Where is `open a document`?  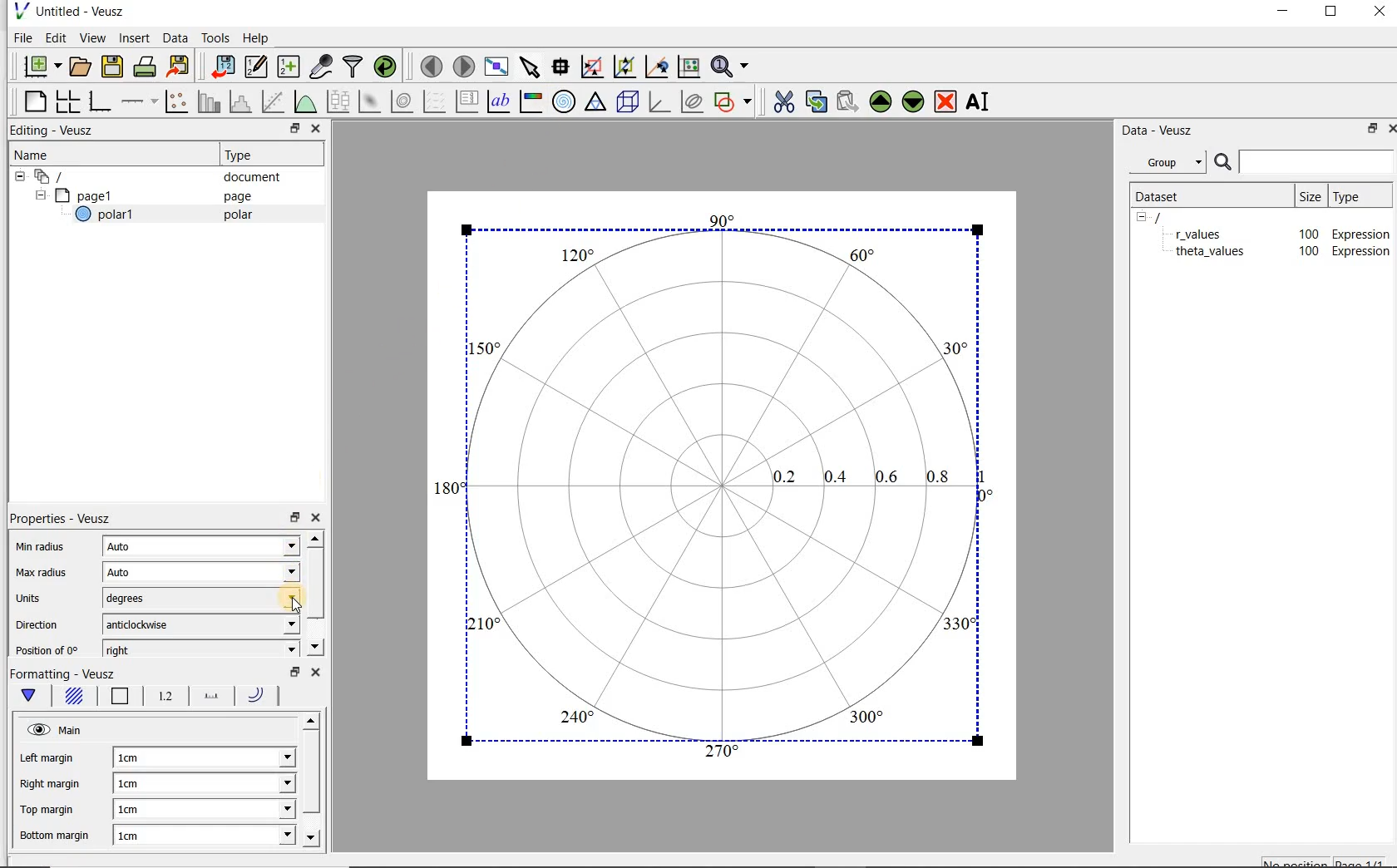
open a document is located at coordinates (82, 65).